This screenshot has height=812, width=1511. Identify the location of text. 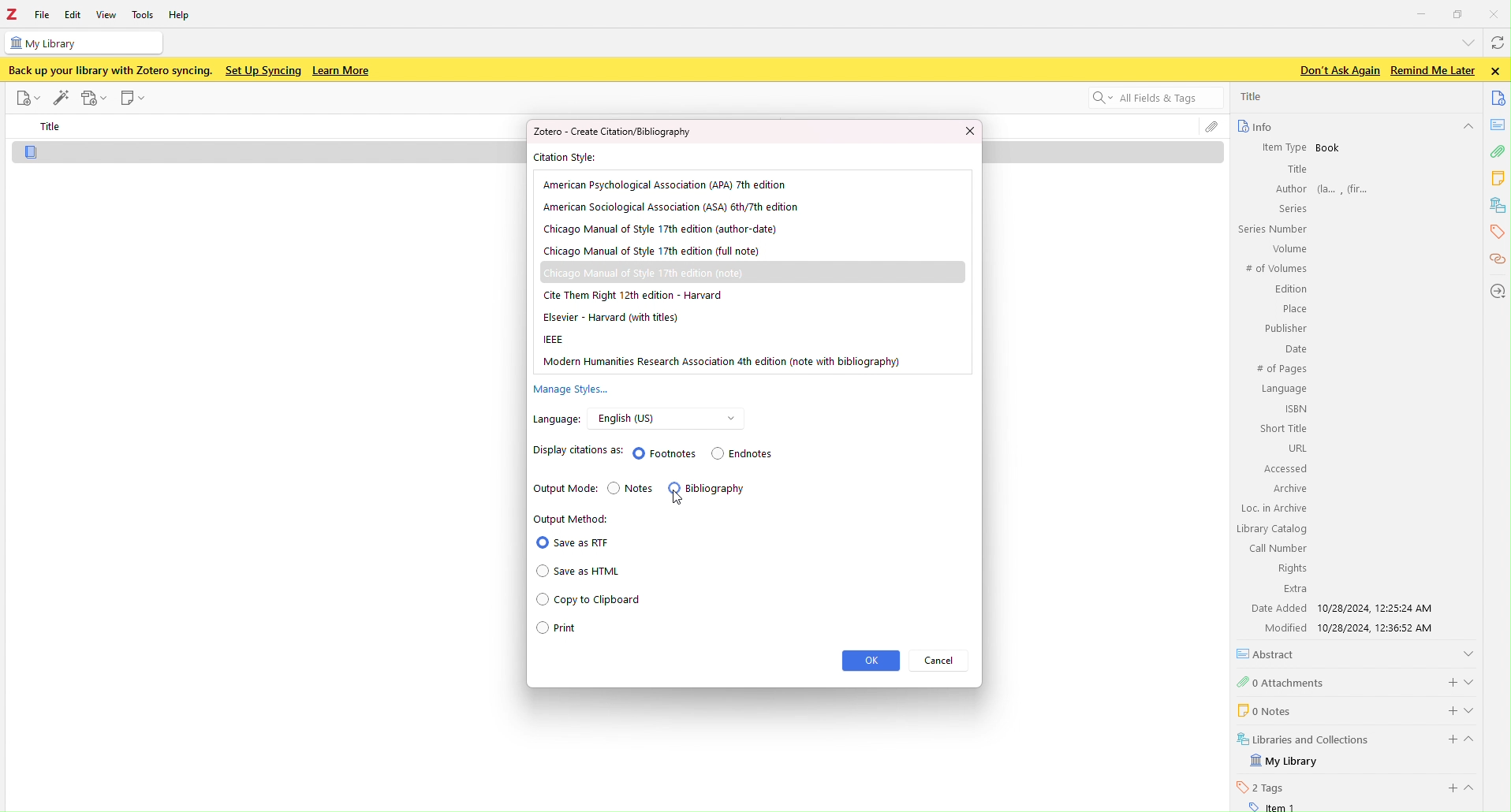
(617, 132).